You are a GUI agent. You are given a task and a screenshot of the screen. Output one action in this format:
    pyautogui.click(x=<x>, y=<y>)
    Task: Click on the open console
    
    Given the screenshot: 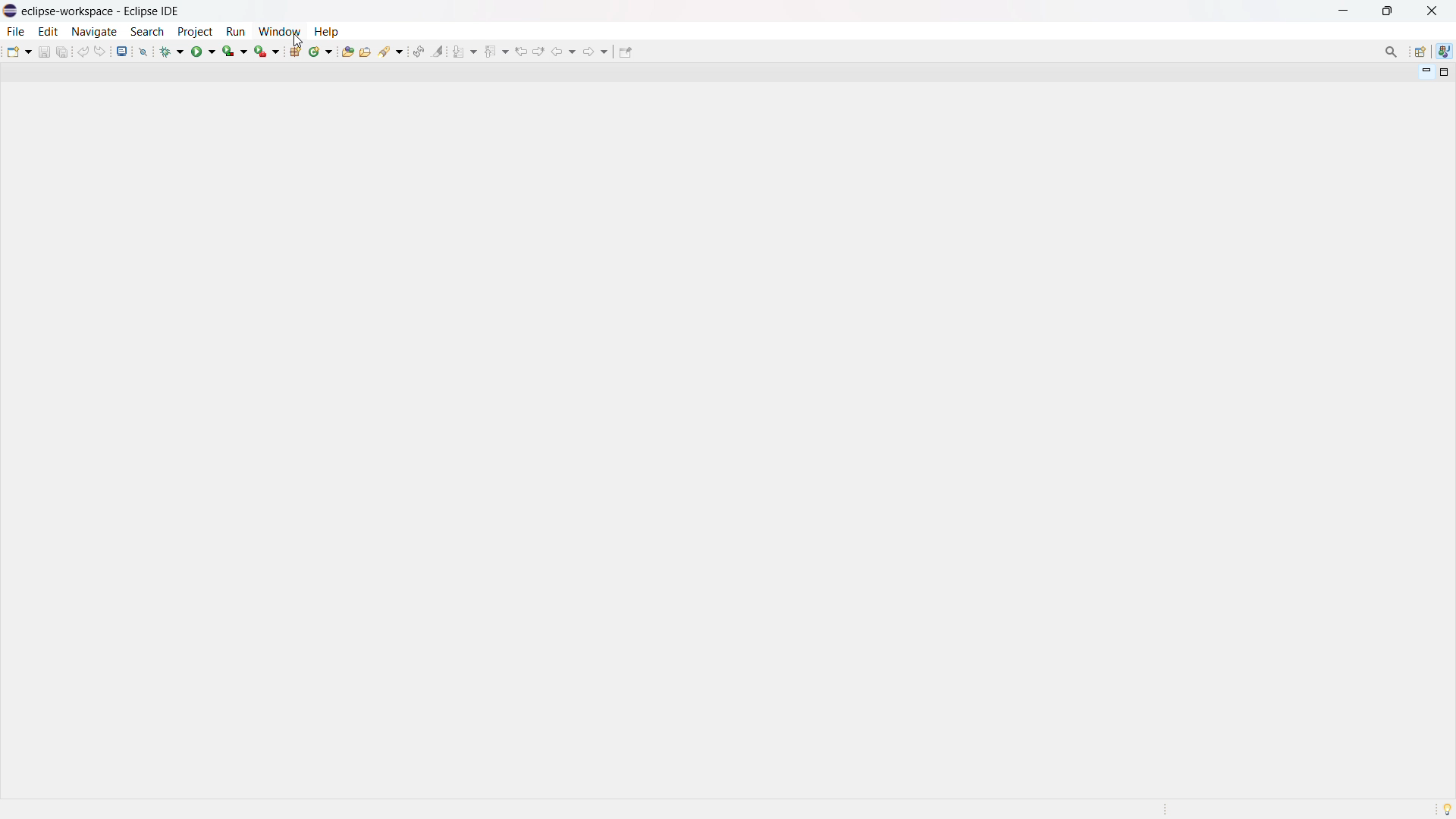 What is the action you would take?
    pyautogui.click(x=121, y=52)
    